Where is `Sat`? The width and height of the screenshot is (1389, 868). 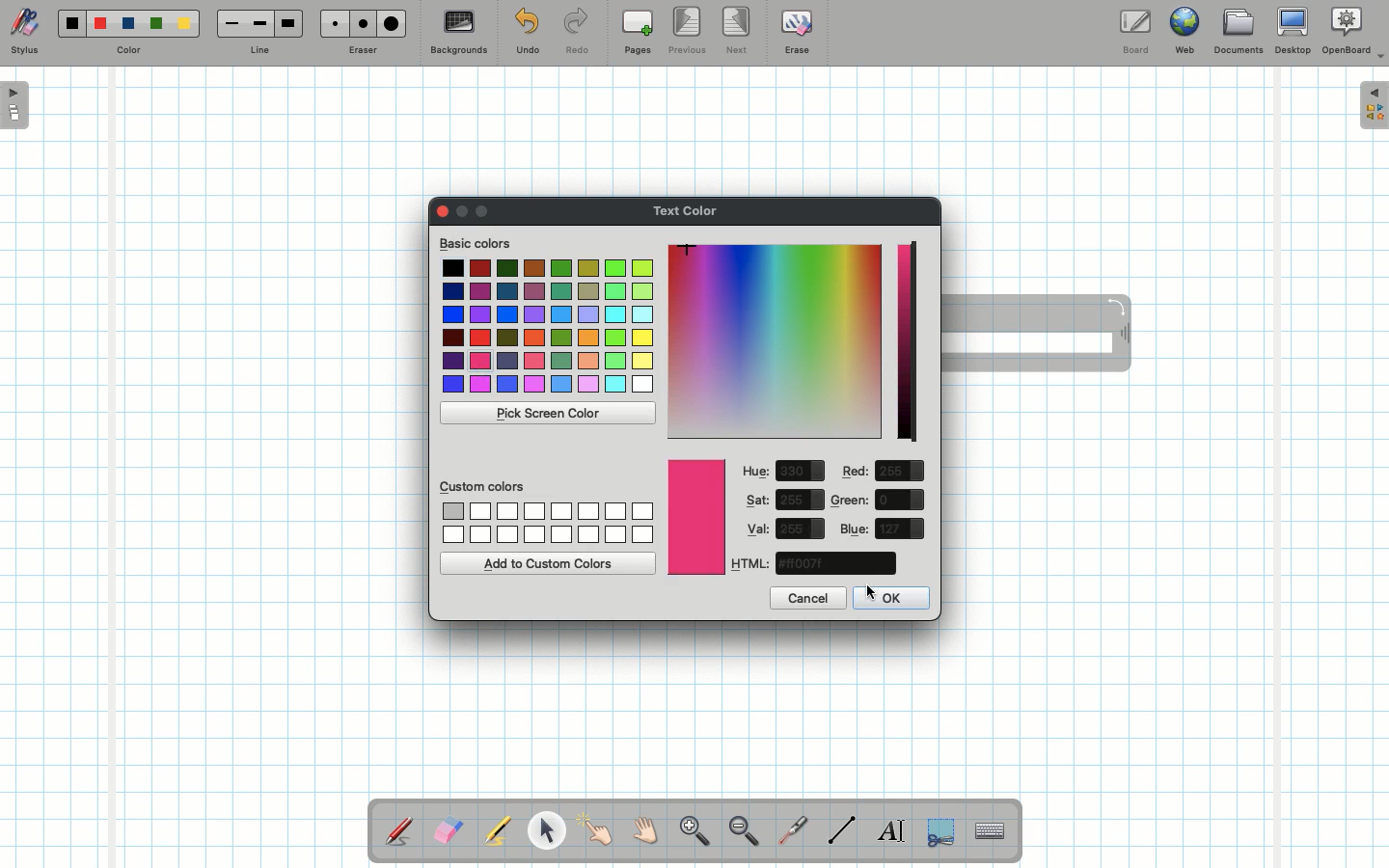
Sat is located at coordinates (758, 500).